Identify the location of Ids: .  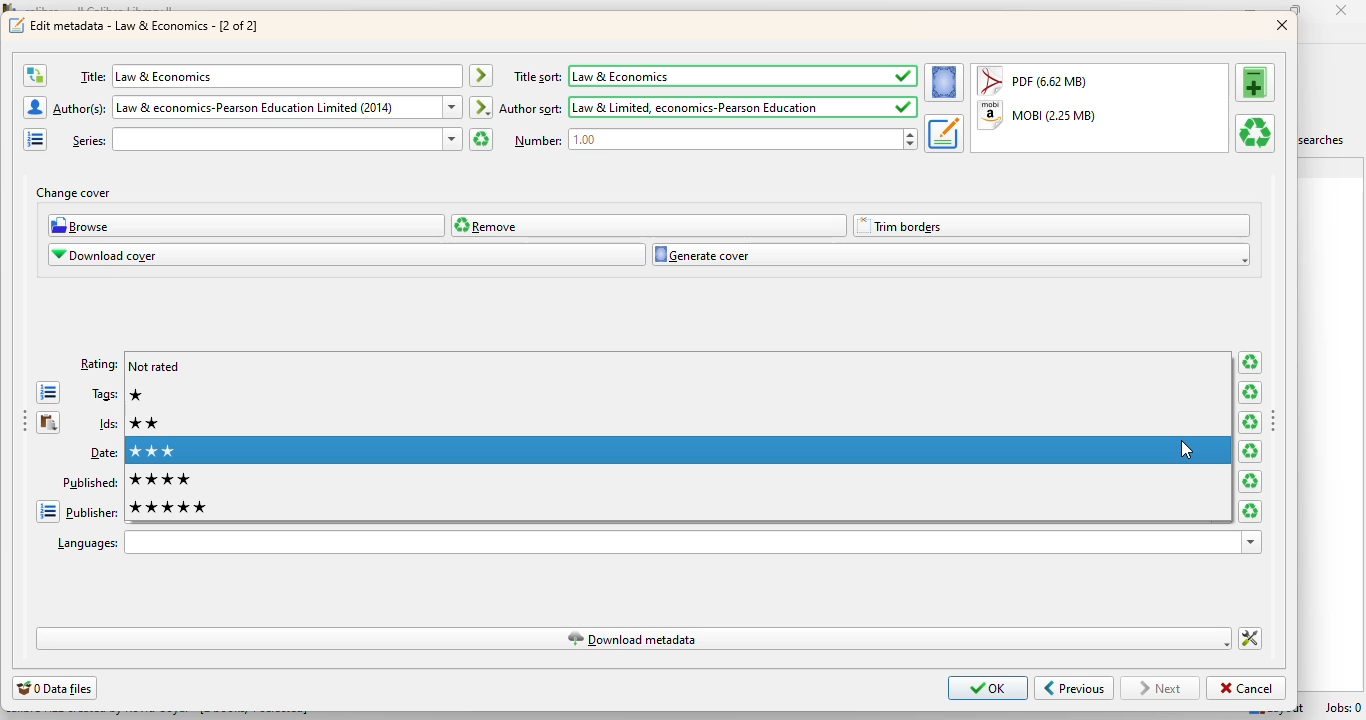
(107, 423).